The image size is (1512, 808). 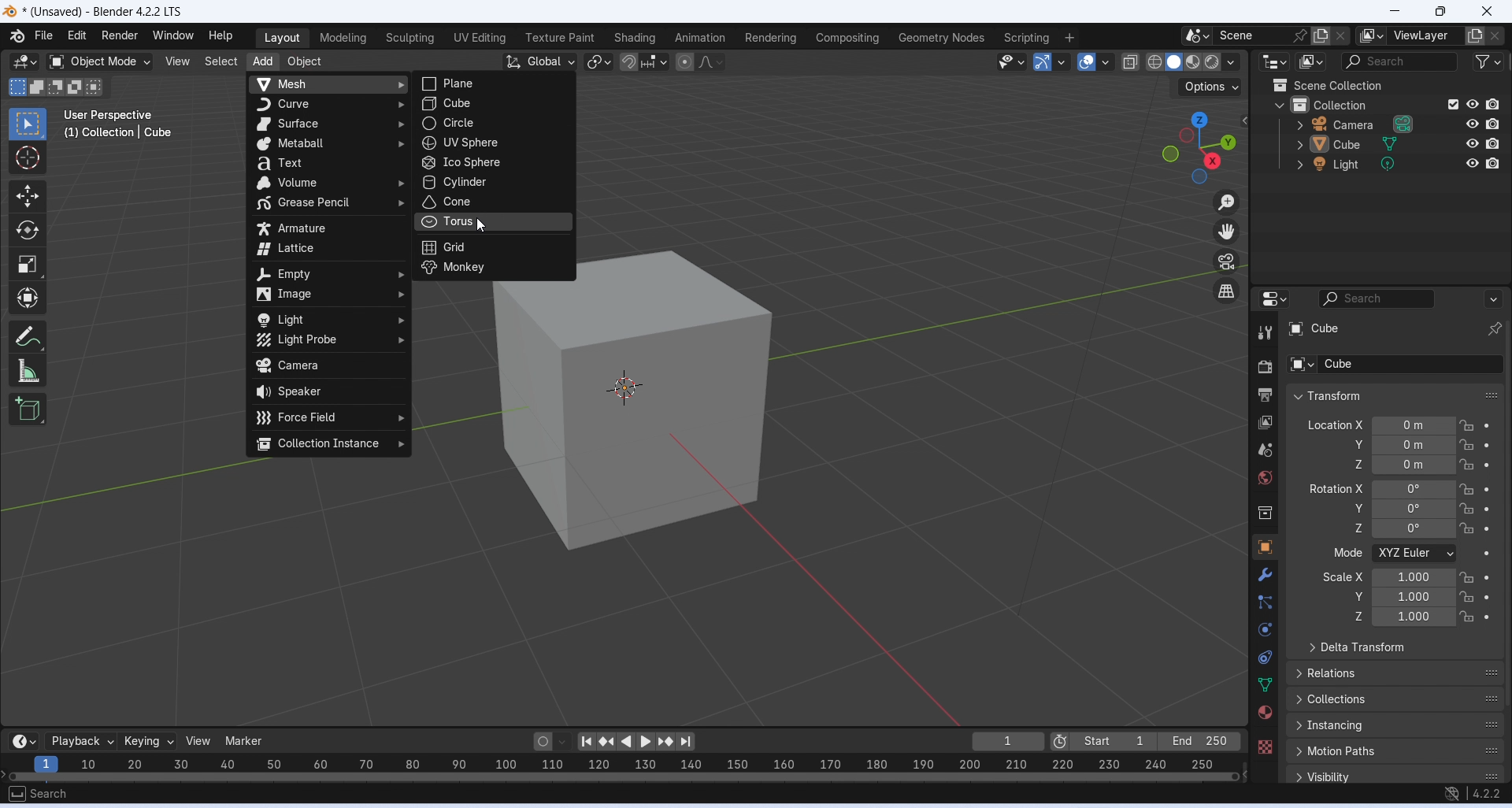 I want to click on World, so click(x=1264, y=477).